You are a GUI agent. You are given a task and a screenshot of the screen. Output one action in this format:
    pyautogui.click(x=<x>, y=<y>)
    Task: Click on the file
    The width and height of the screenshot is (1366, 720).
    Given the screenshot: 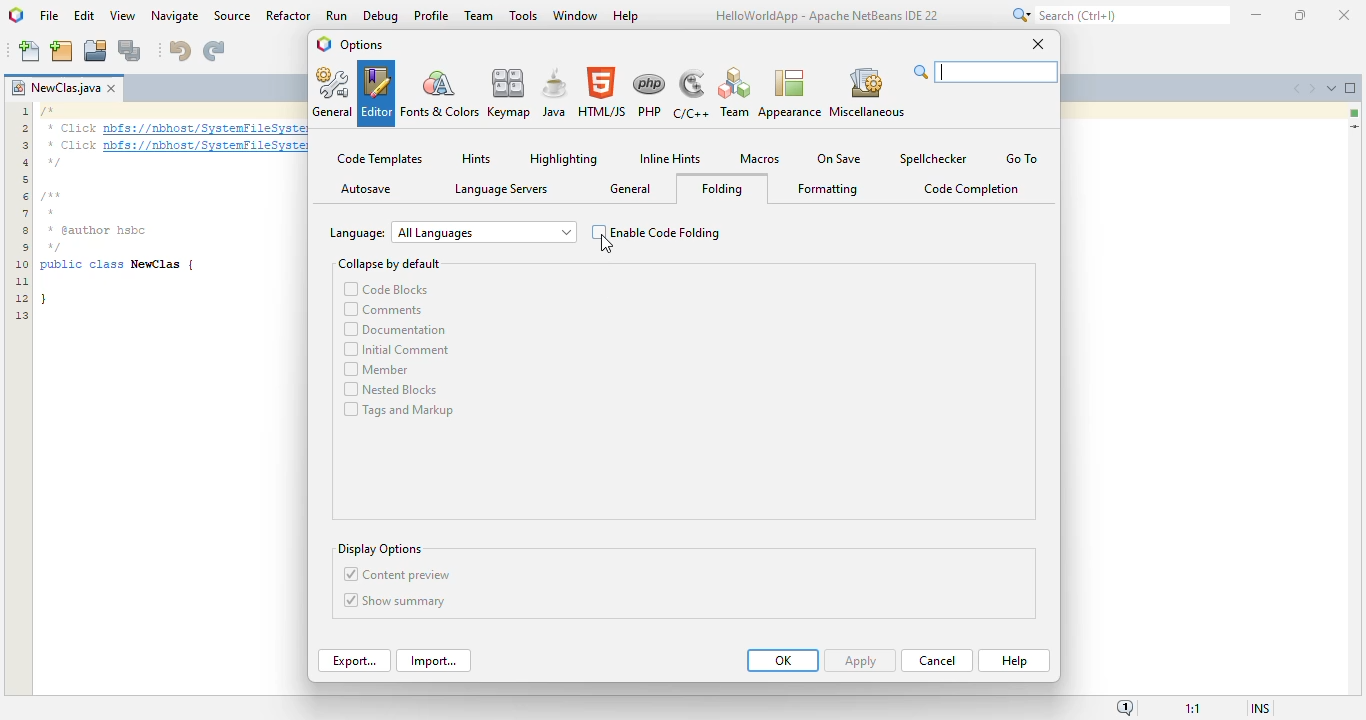 What is the action you would take?
    pyautogui.click(x=50, y=16)
    